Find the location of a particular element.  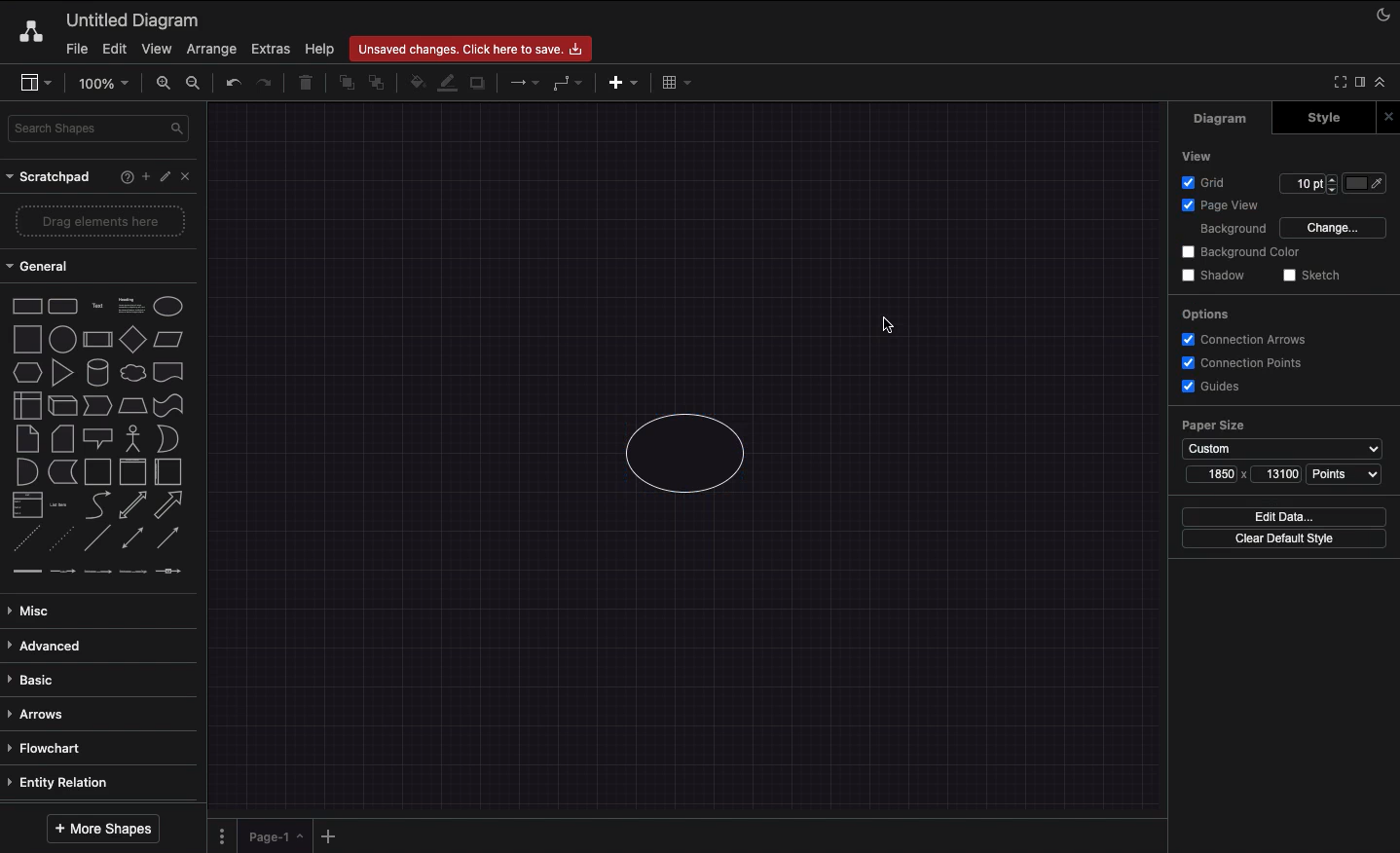

Table is located at coordinates (674, 81).